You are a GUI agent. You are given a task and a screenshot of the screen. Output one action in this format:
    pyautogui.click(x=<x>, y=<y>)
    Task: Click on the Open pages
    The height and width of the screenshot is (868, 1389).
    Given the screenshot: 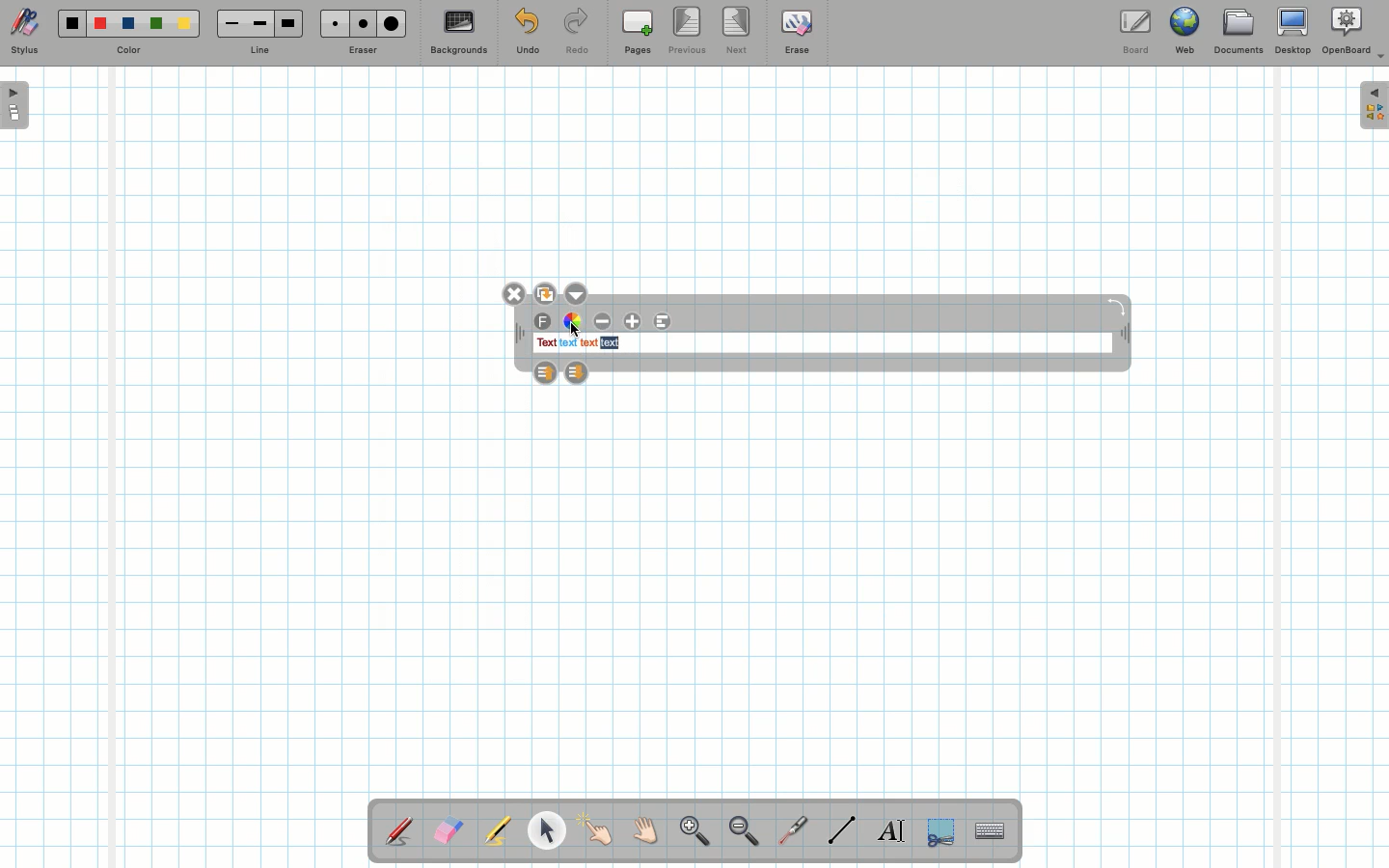 What is the action you would take?
    pyautogui.click(x=16, y=104)
    